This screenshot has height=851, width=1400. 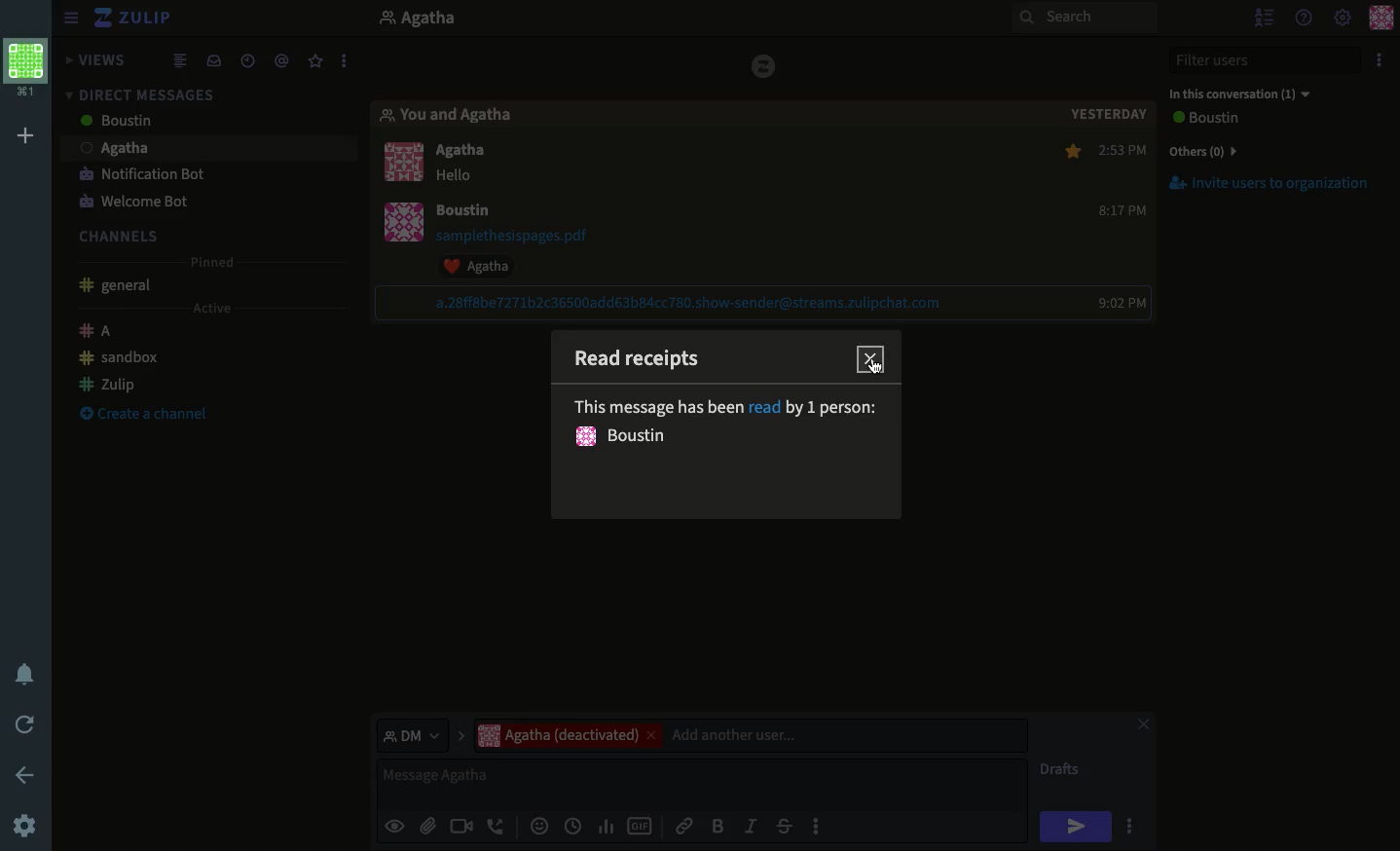 What do you see at coordinates (531, 236) in the screenshot?
I see `PDF attachment` at bounding box center [531, 236].